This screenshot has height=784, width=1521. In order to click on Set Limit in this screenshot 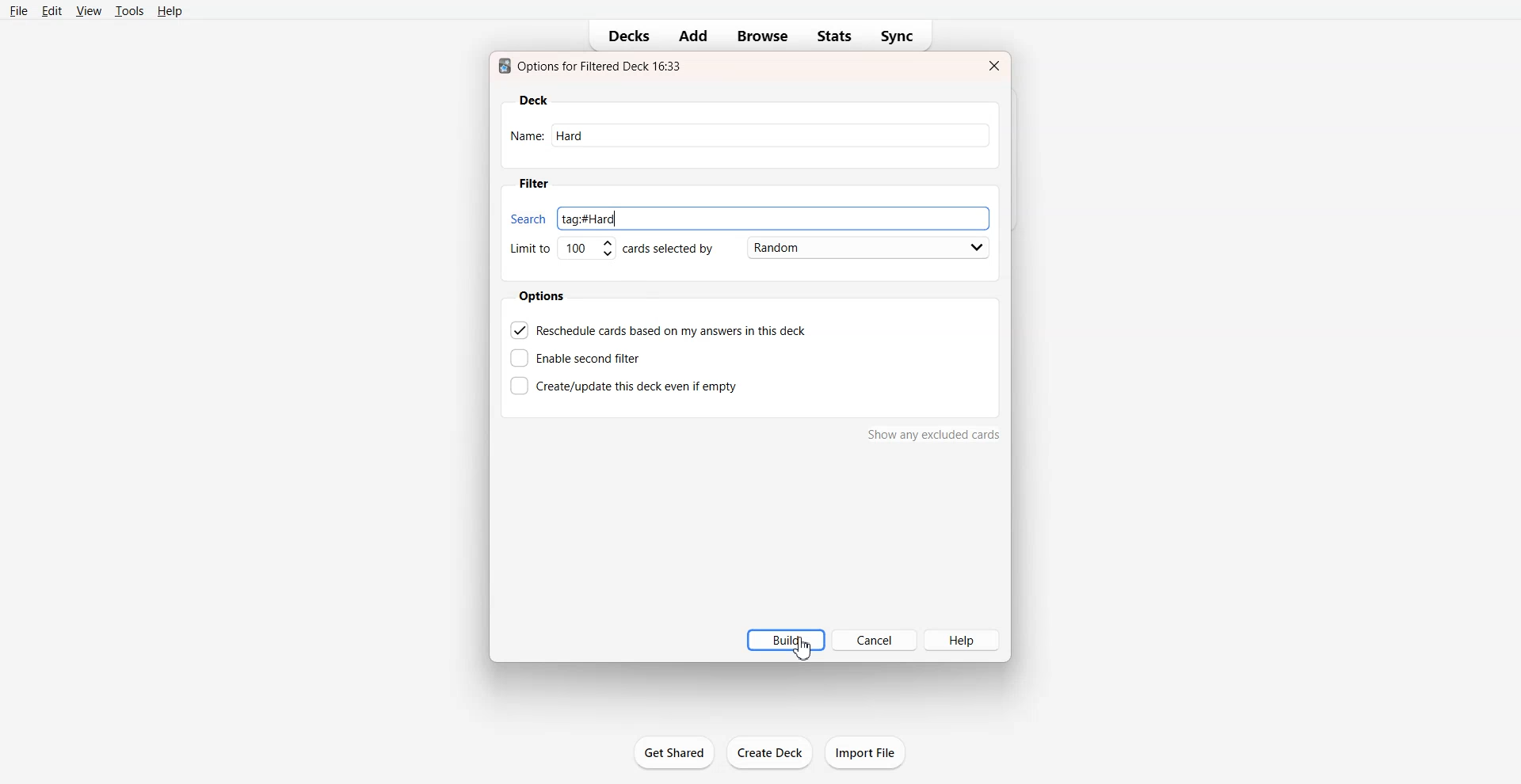, I will do `click(561, 252)`.